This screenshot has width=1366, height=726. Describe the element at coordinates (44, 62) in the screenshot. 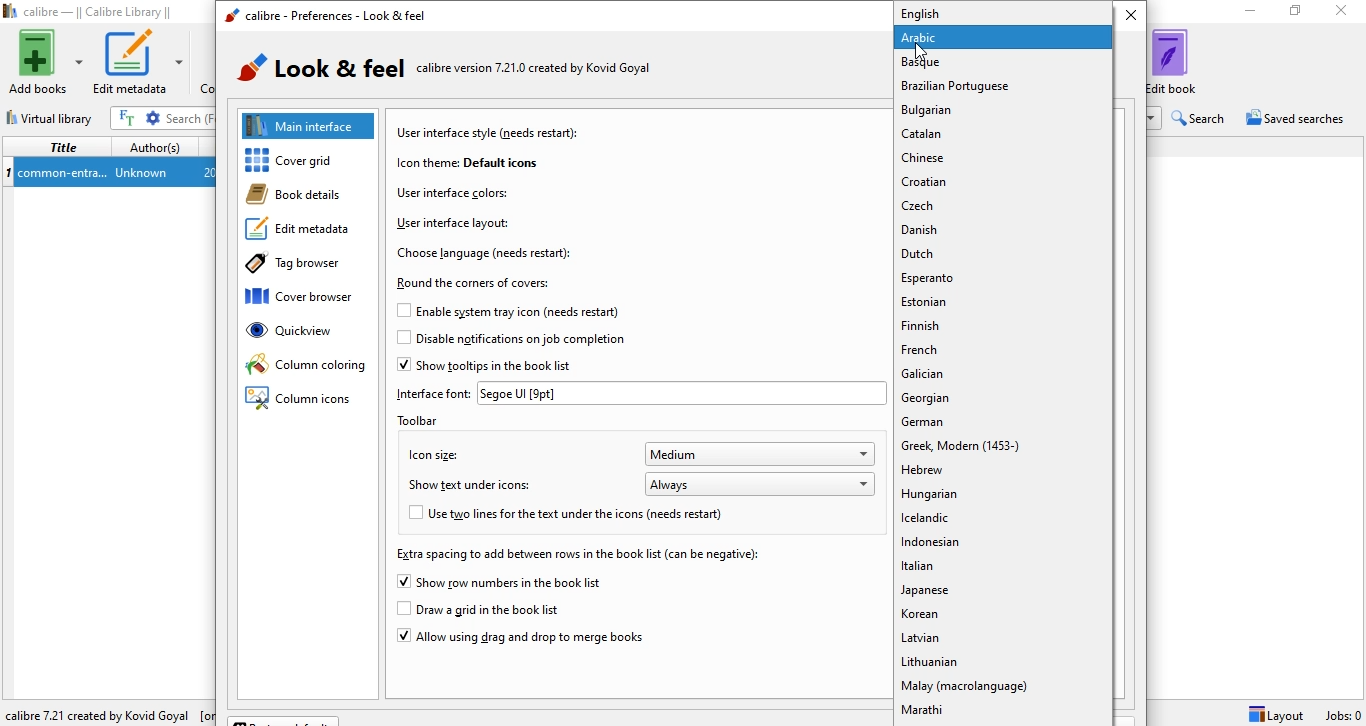

I see `Add books` at that location.